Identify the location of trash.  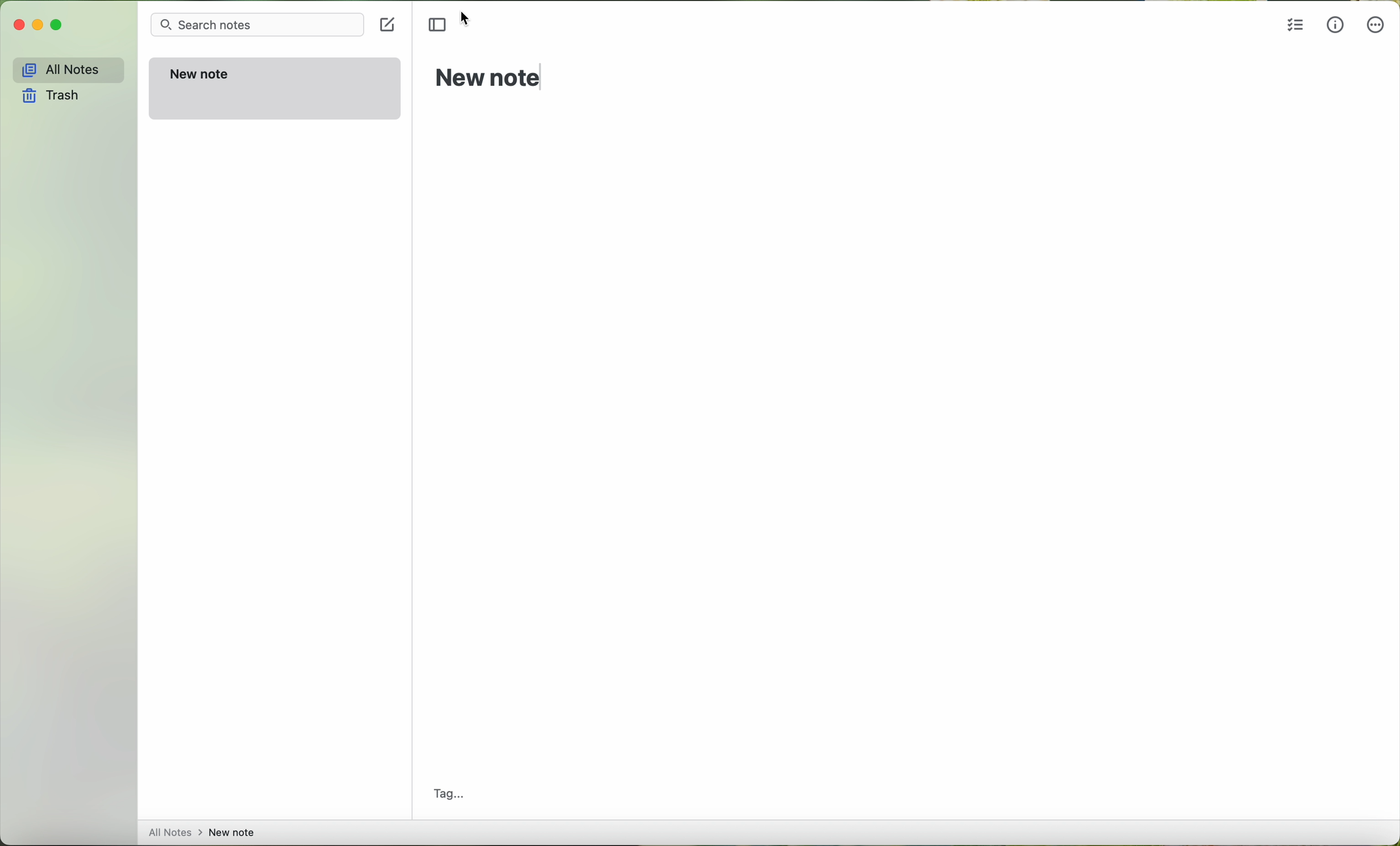
(57, 97).